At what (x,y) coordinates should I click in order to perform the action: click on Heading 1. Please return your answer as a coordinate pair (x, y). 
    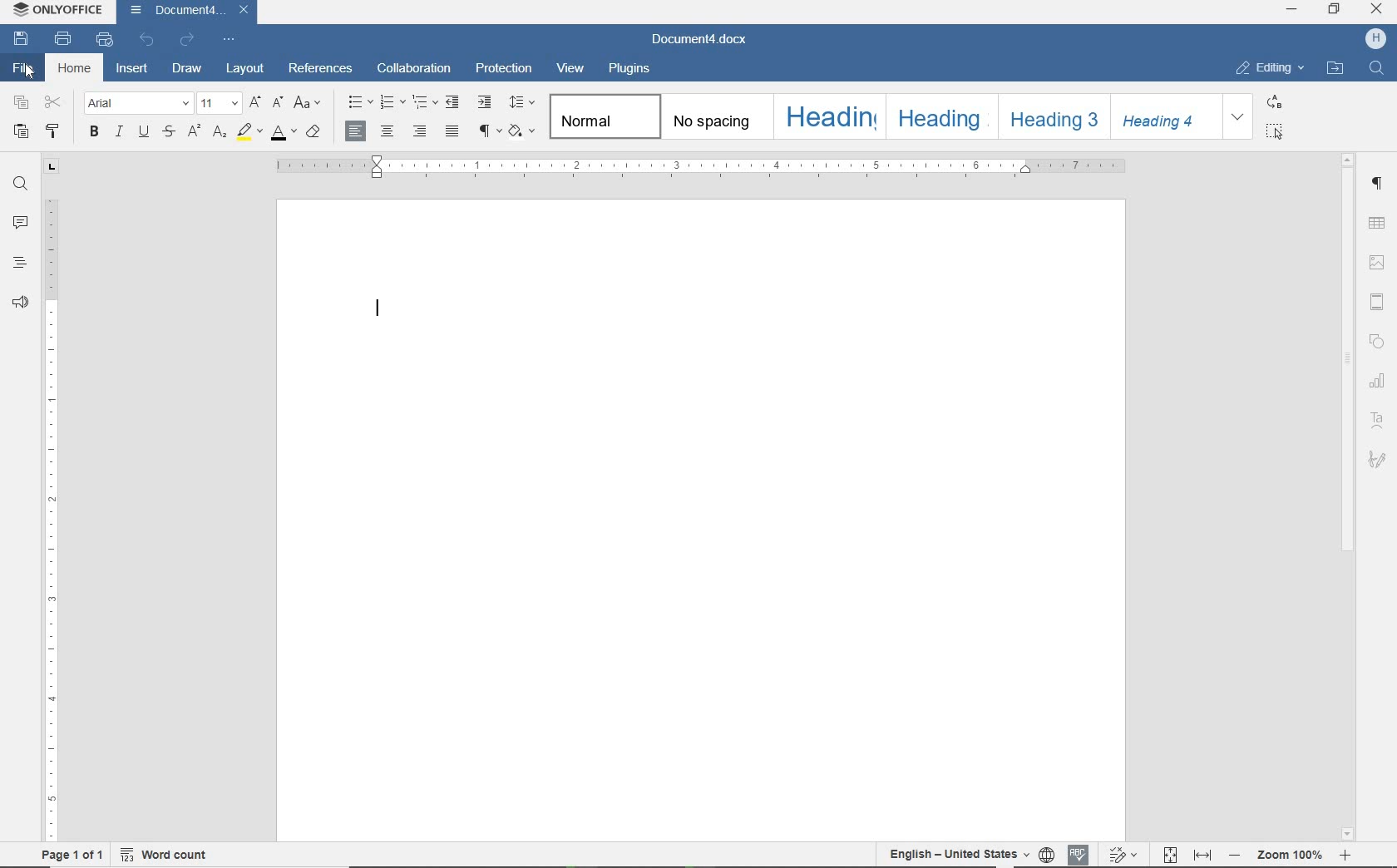
    Looking at the image, I should click on (829, 116).